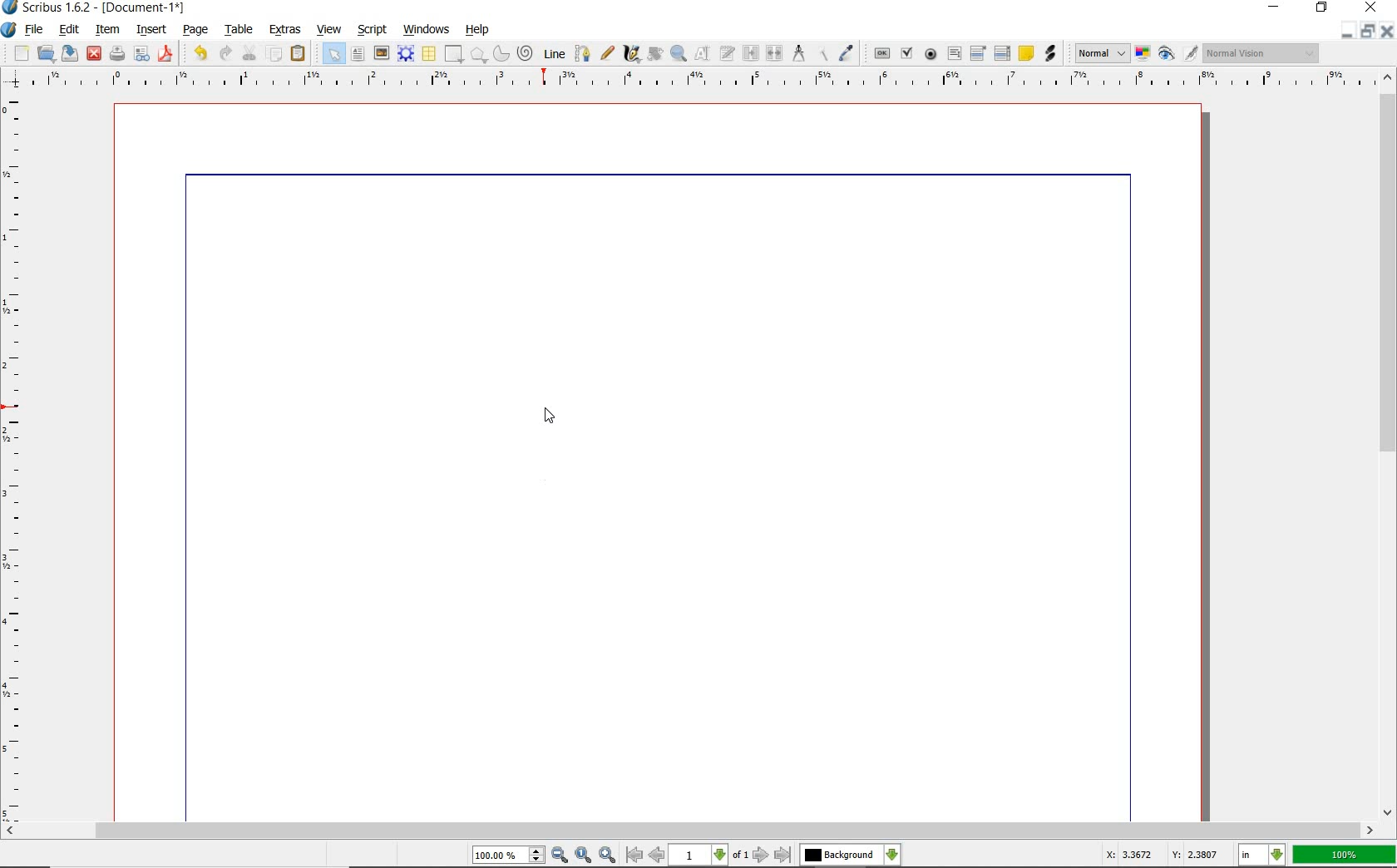 The height and width of the screenshot is (868, 1397). What do you see at coordinates (551, 417) in the screenshot?
I see `Cursor` at bounding box center [551, 417].